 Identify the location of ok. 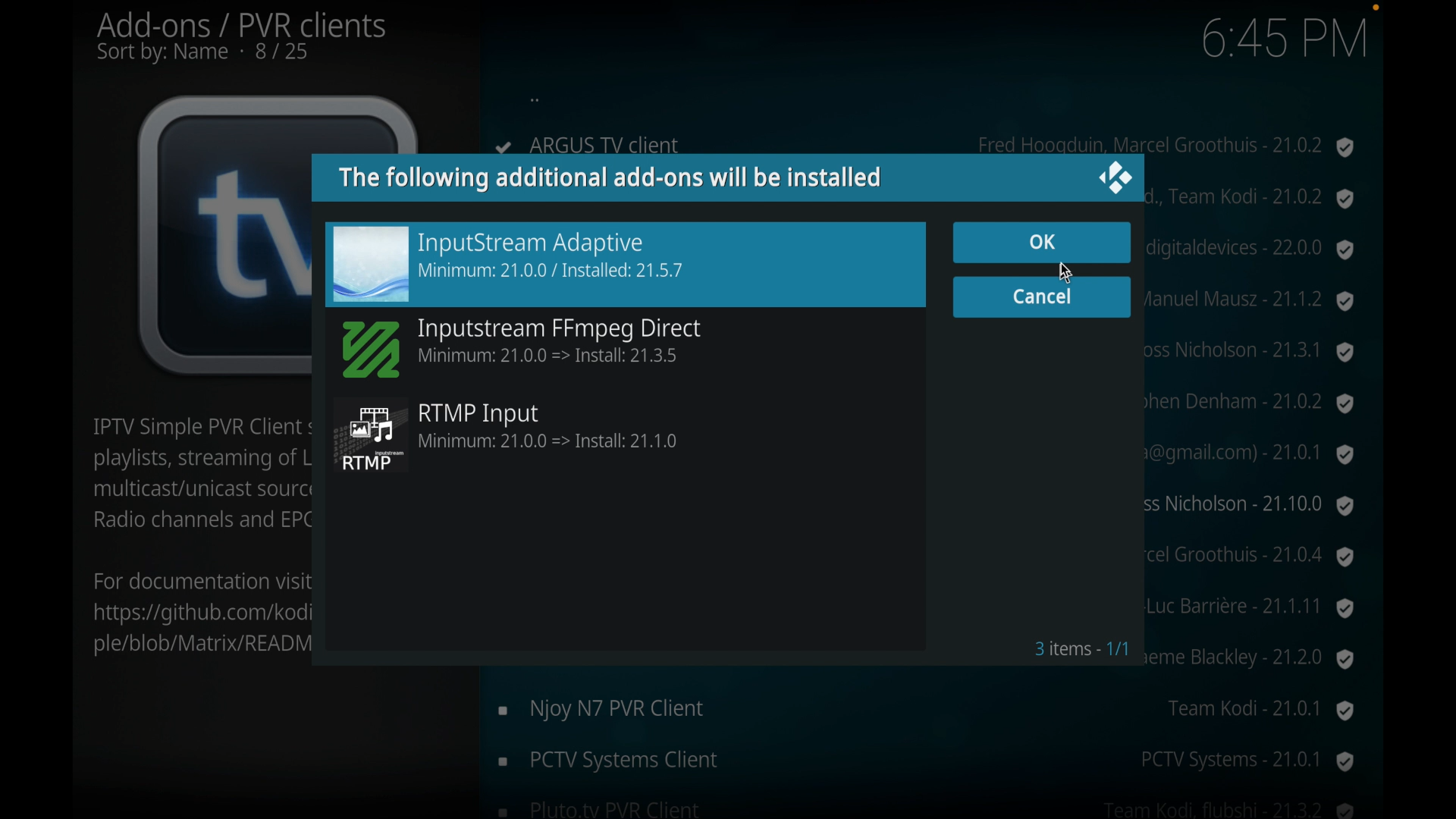
(1043, 243).